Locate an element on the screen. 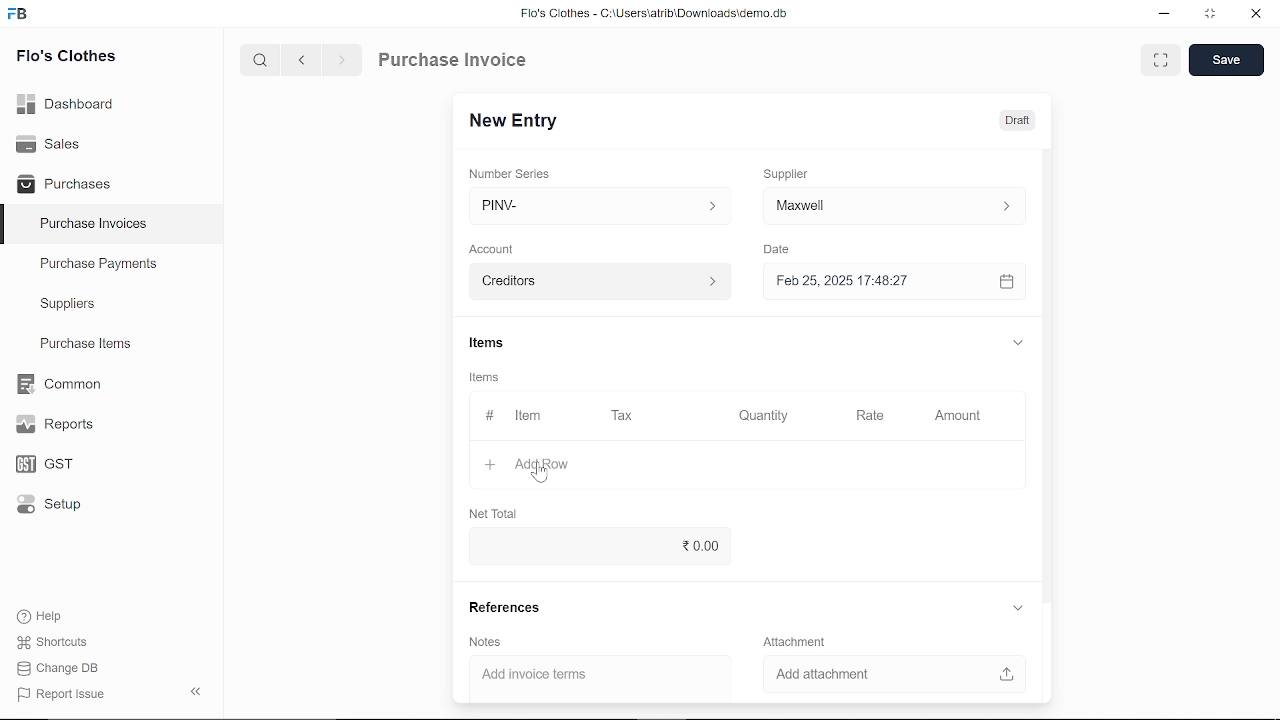 This screenshot has height=720, width=1280. J Report Issue is located at coordinates (58, 694).